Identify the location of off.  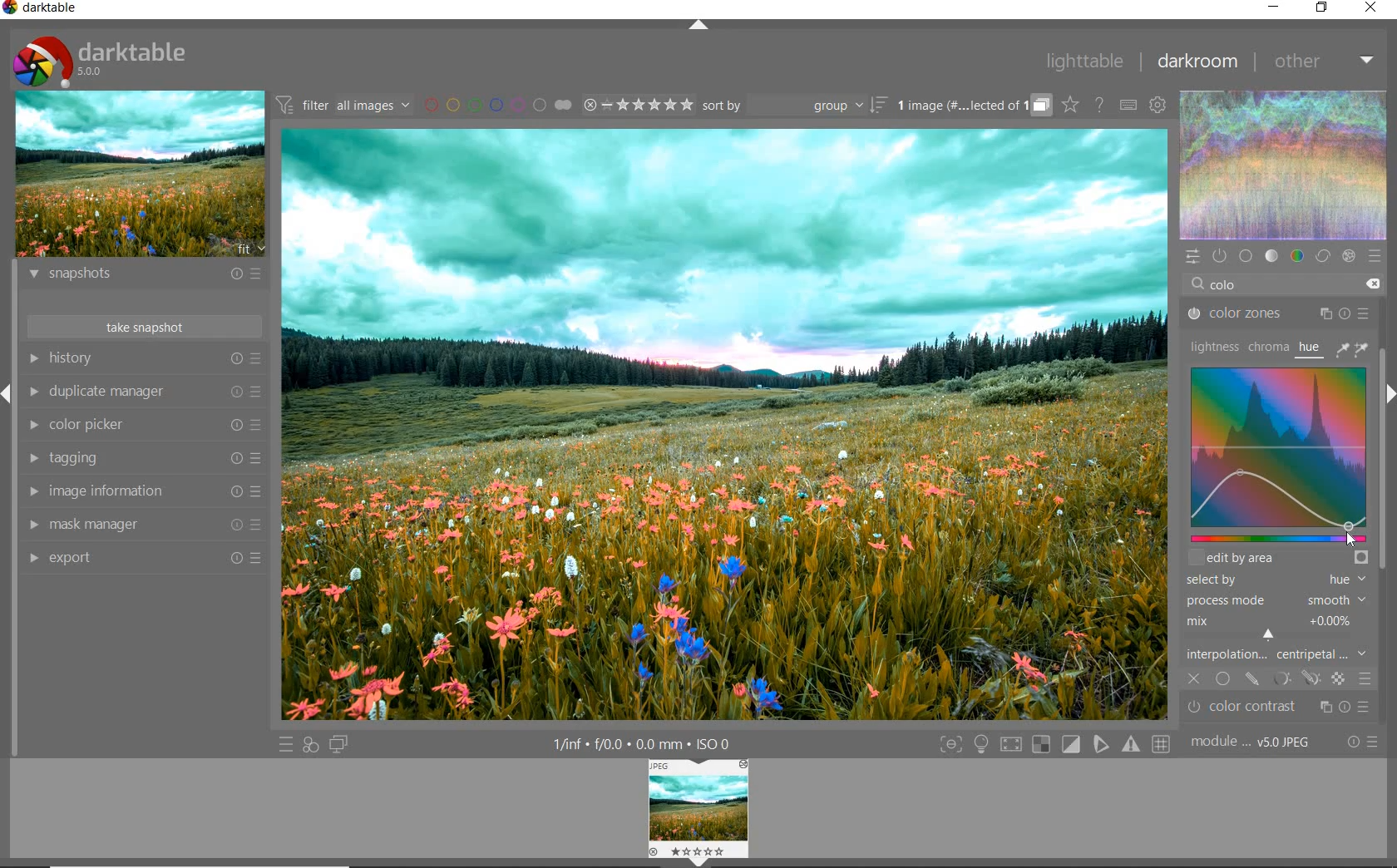
(1195, 677).